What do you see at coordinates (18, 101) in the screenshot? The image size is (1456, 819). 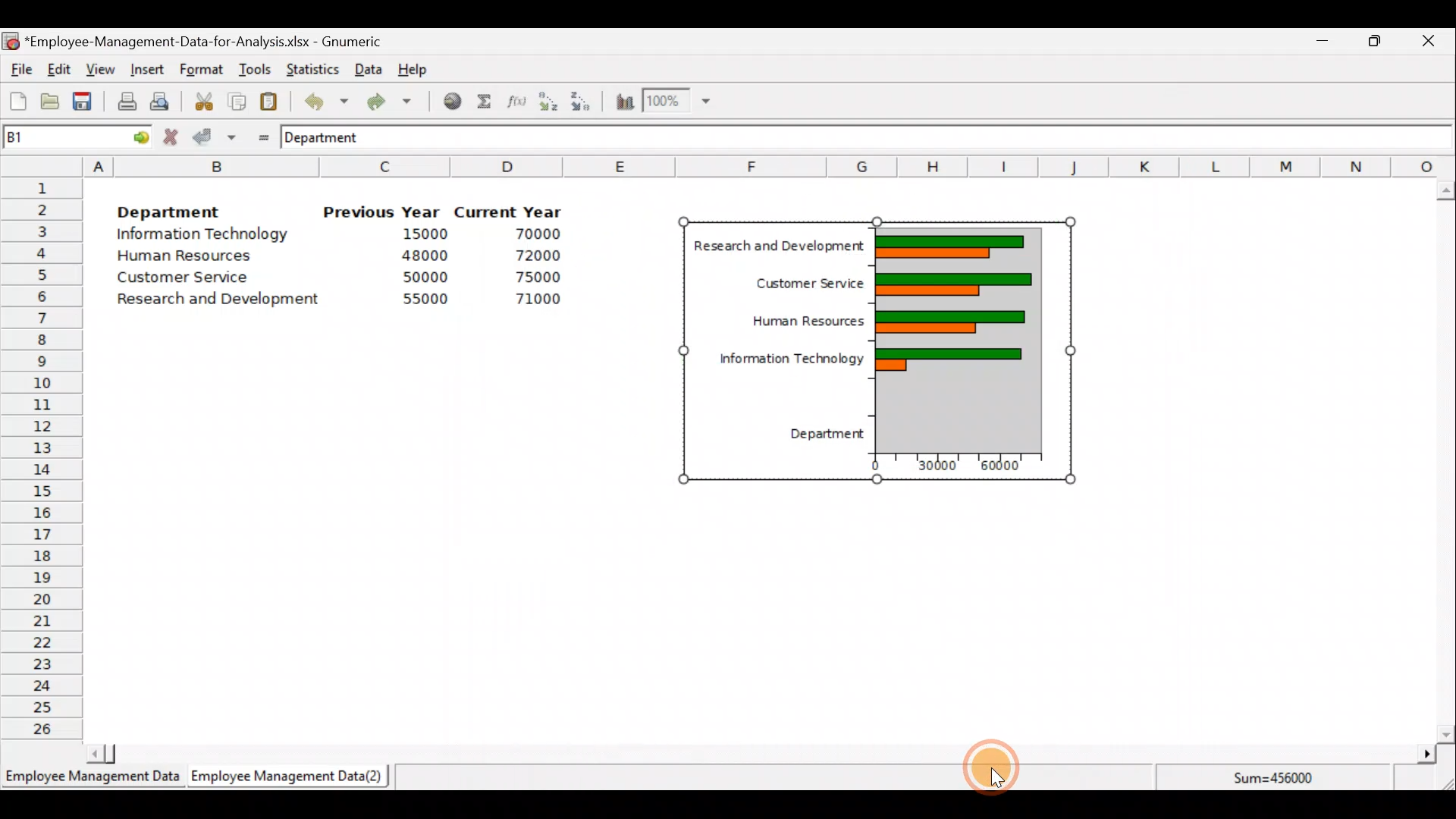 I see `Create a new workbook` at bounding box center [18, 101].